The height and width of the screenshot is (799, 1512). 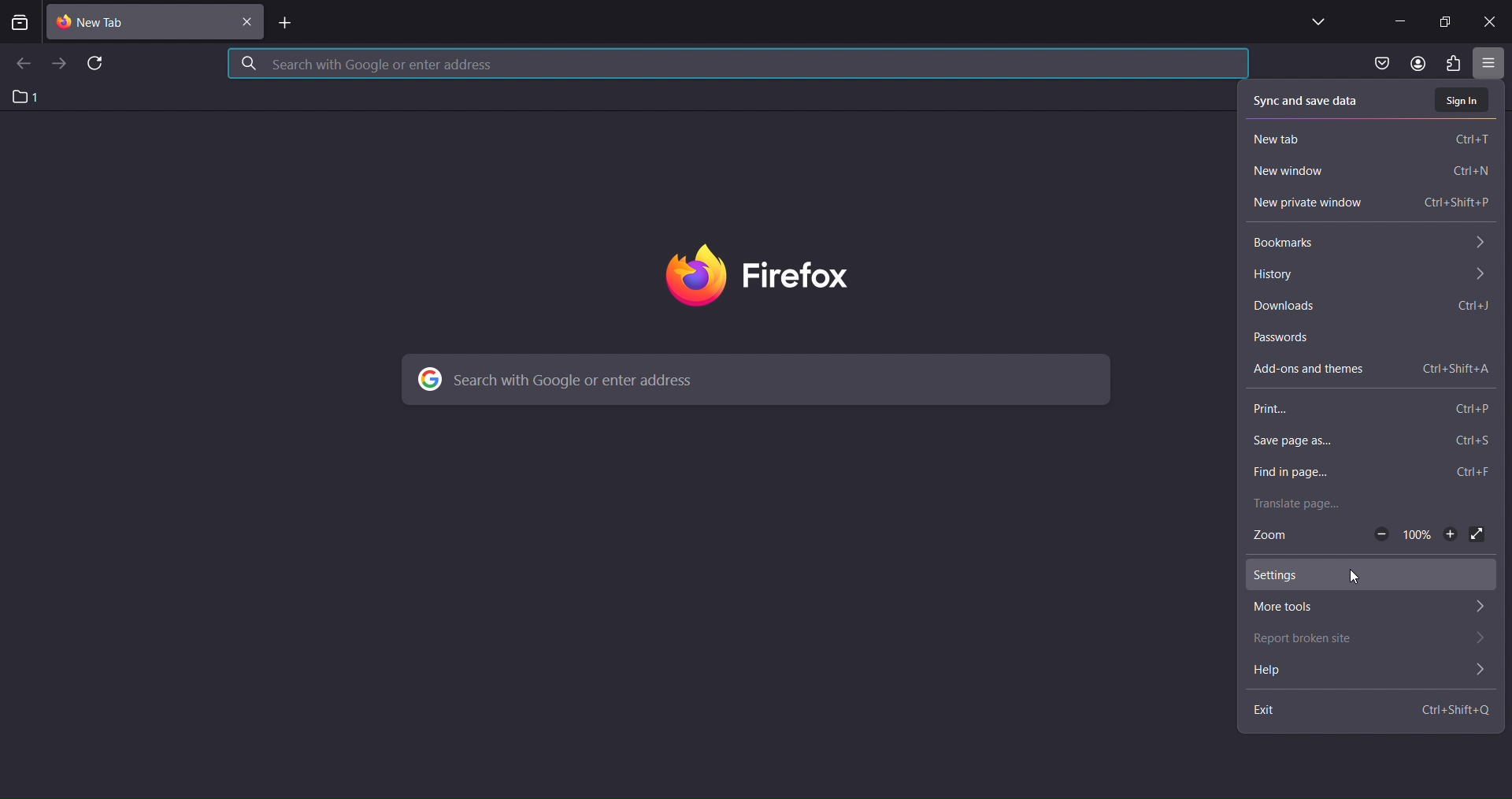 I want to click on restore down, so click(x=1447, y=22).